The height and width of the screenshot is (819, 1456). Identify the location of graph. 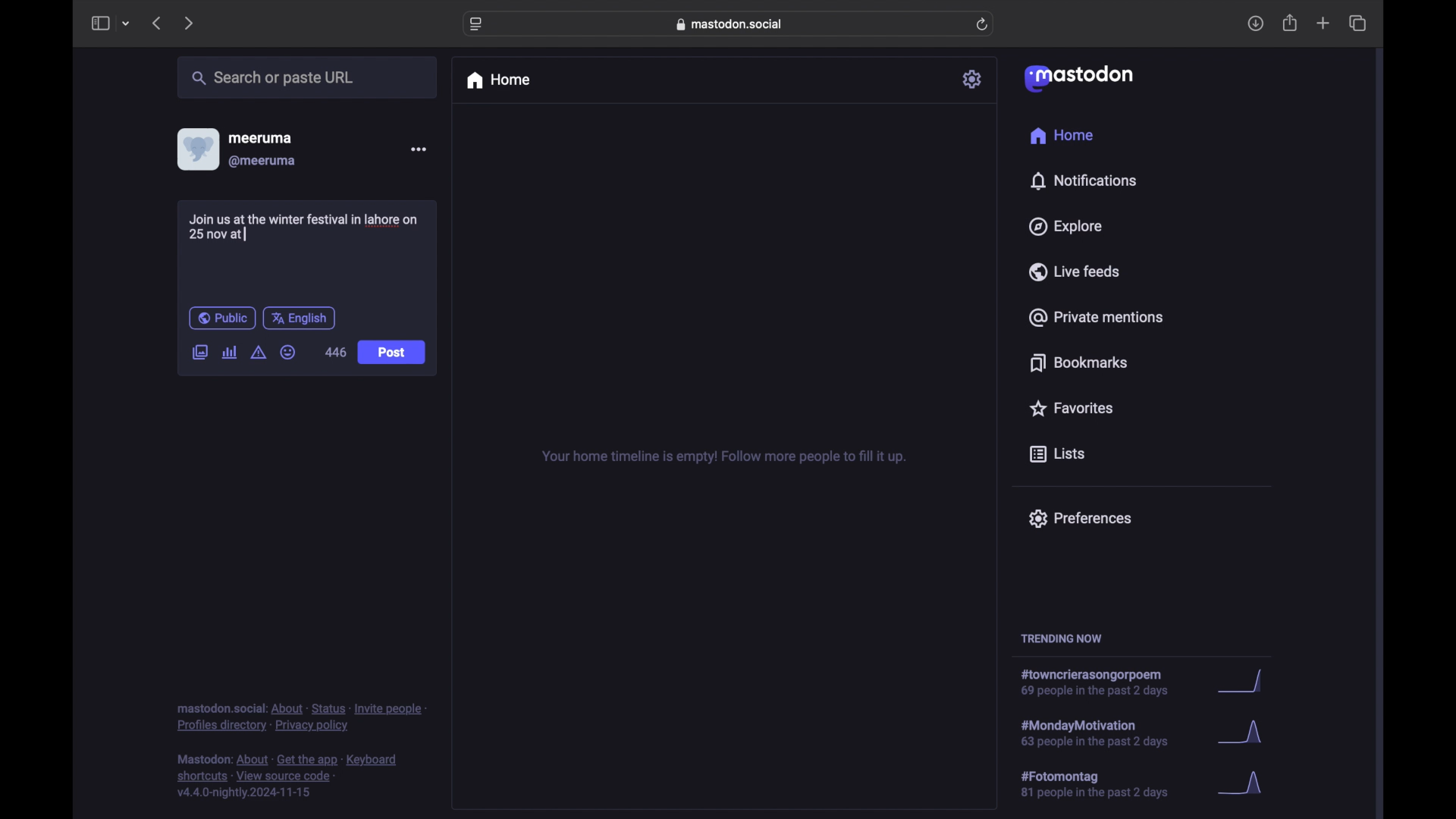
(1244, 682).